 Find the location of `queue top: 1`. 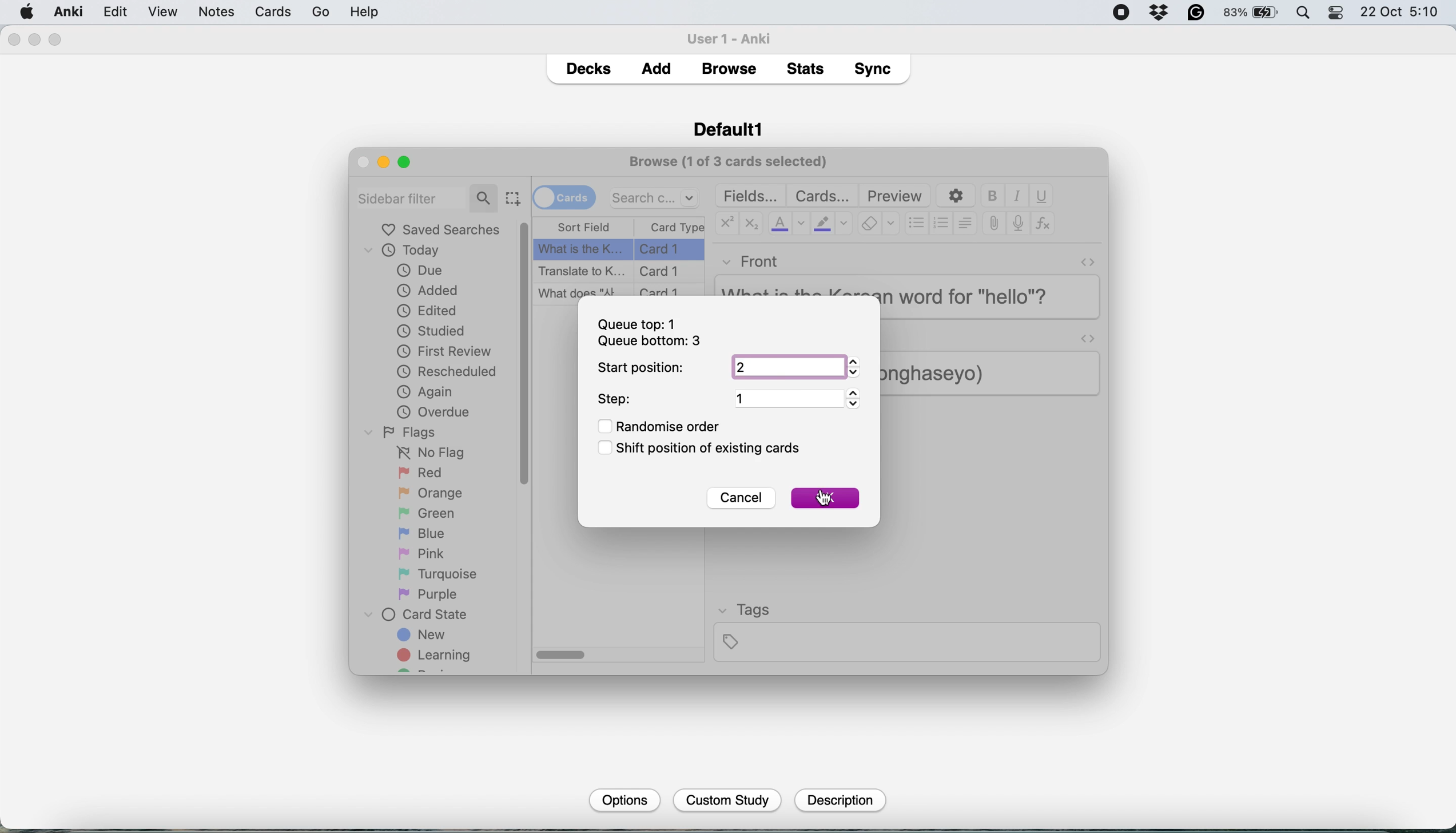

queue top: 1 is located at coordinates (640, 324).